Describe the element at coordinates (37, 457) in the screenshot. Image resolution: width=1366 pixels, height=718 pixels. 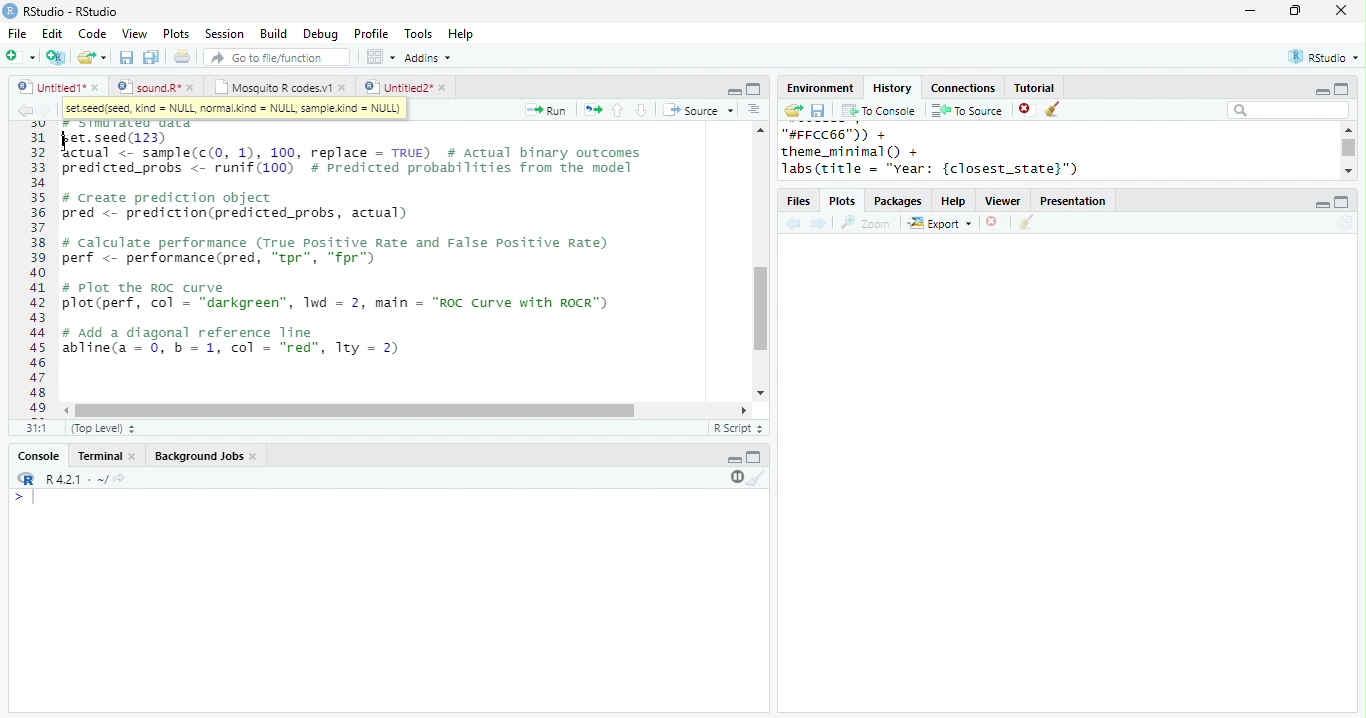
I see `console` at that location.